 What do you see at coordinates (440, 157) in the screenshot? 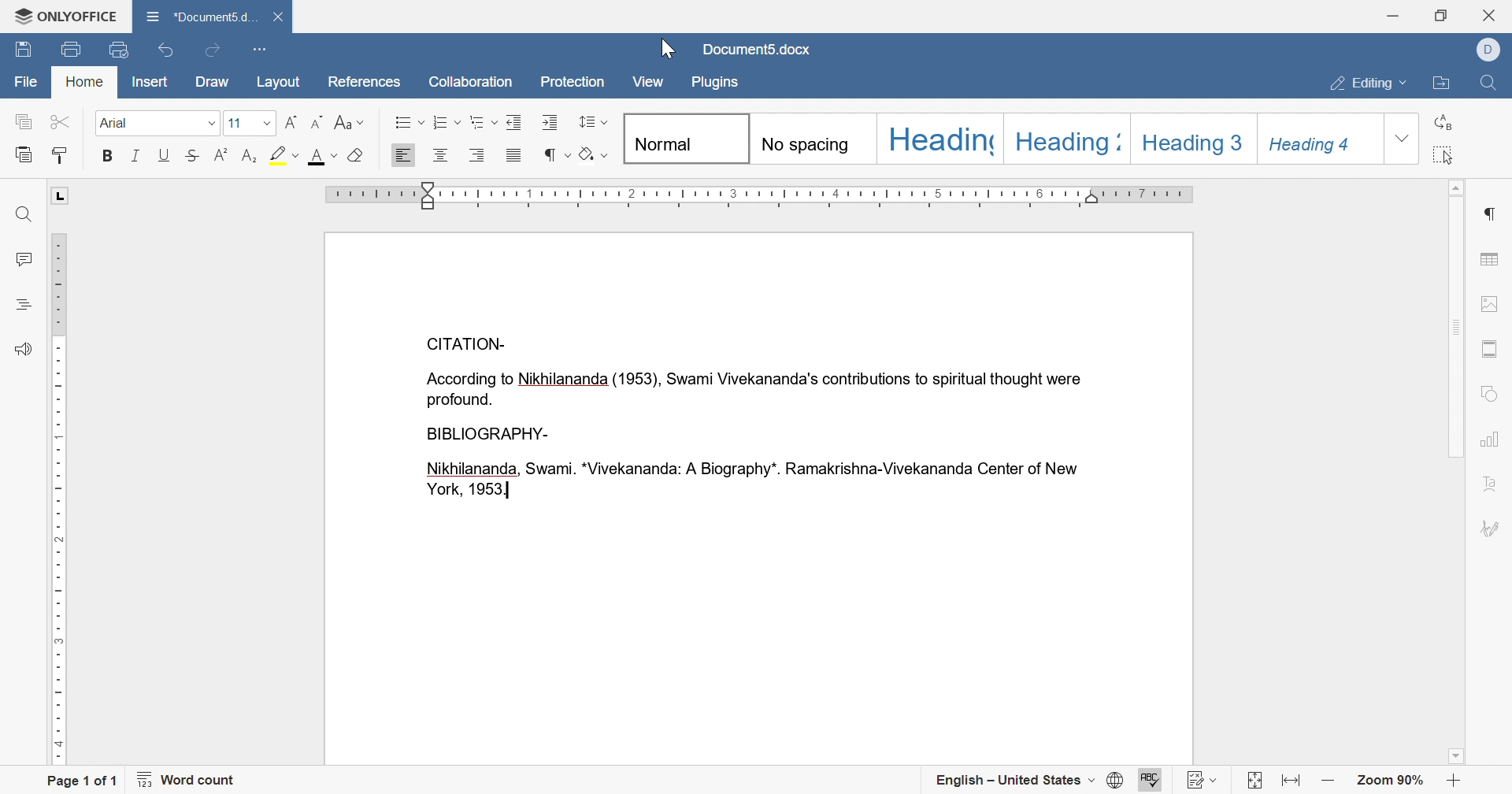
I see `align center` at bounding box center [440, 157].